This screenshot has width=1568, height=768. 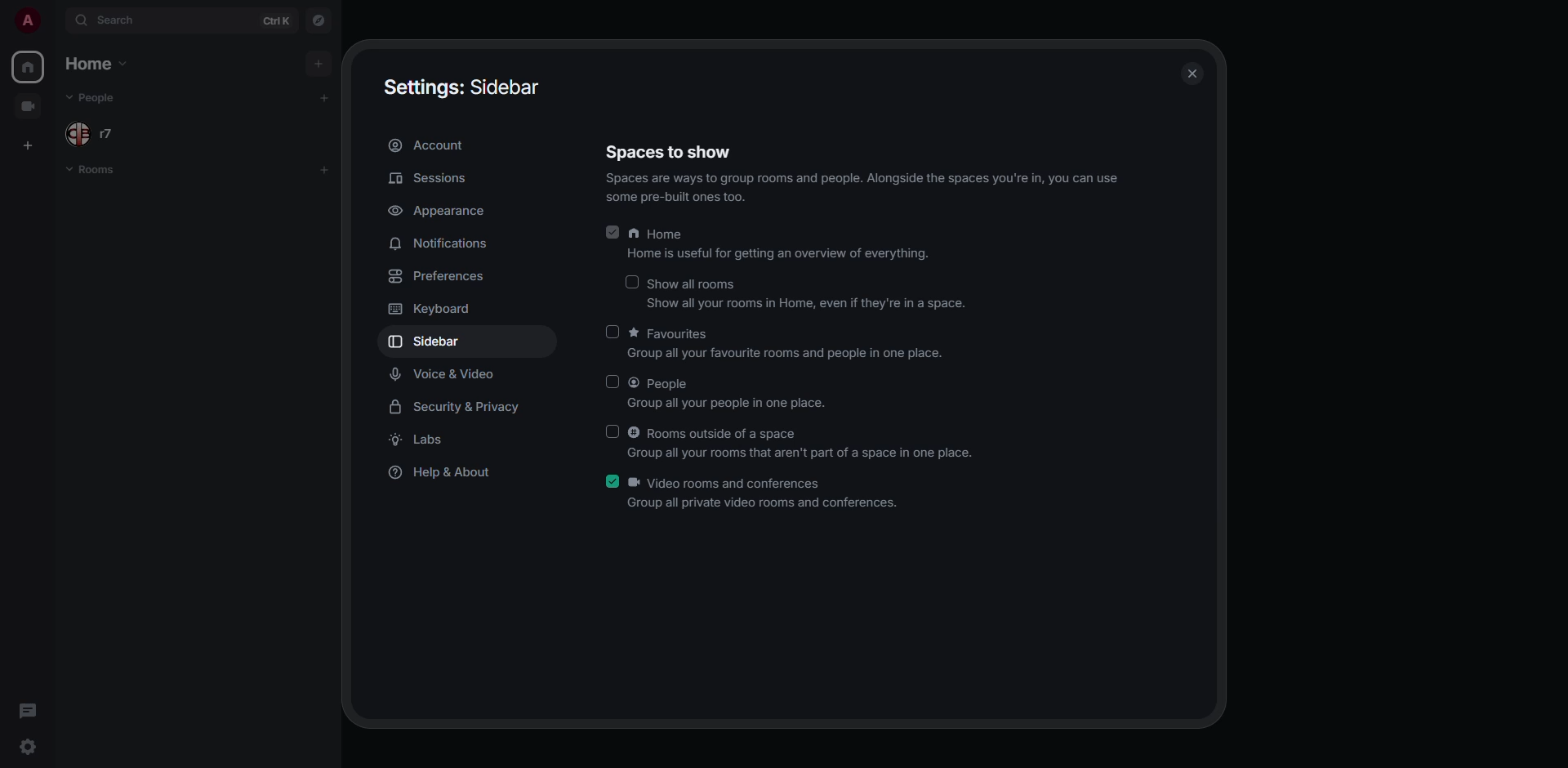 I want to click on rooms outside of a space, so click(x=802, y=444).